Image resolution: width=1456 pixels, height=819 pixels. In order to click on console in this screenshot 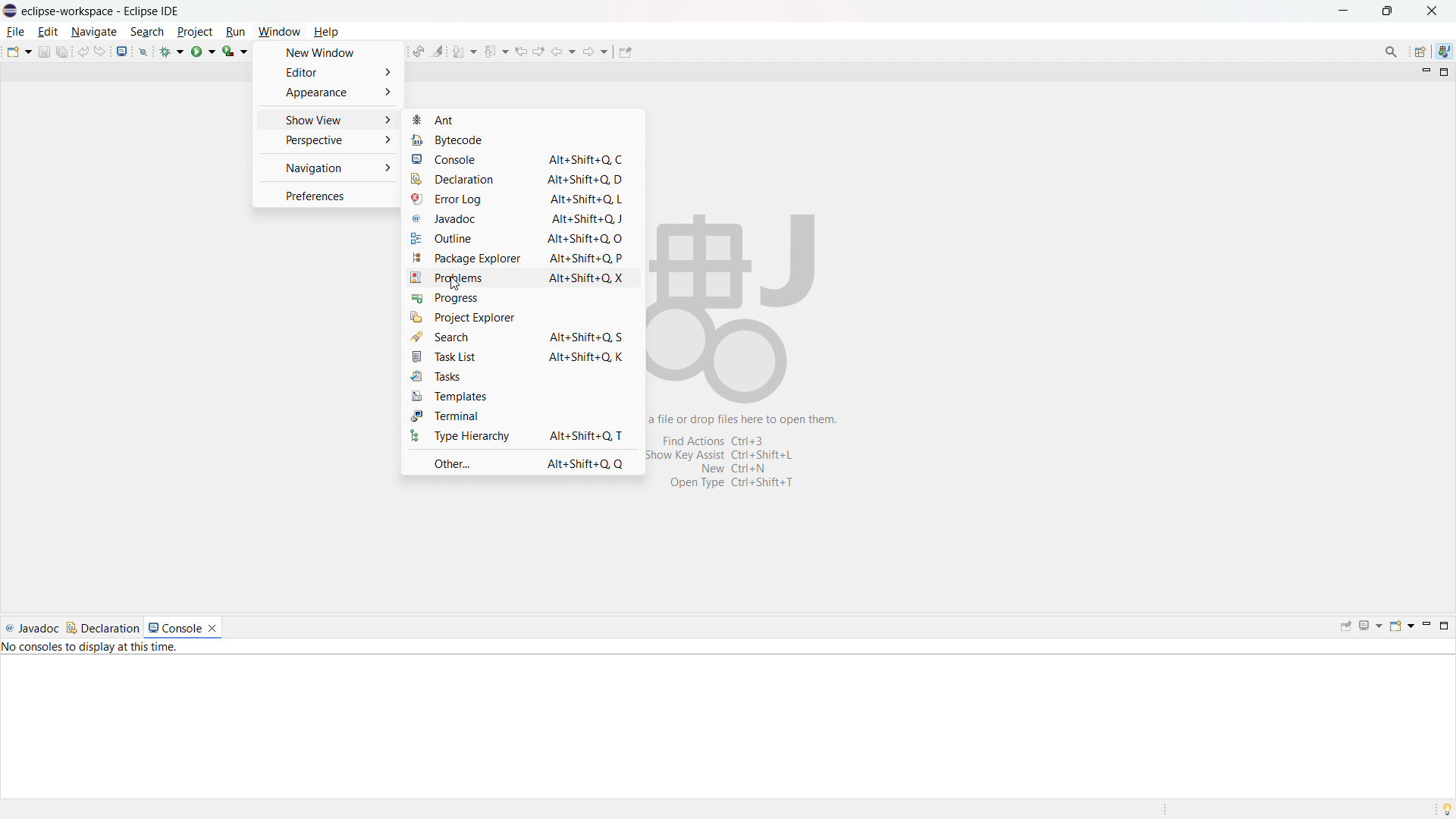, I will do `click(522, 159)`.